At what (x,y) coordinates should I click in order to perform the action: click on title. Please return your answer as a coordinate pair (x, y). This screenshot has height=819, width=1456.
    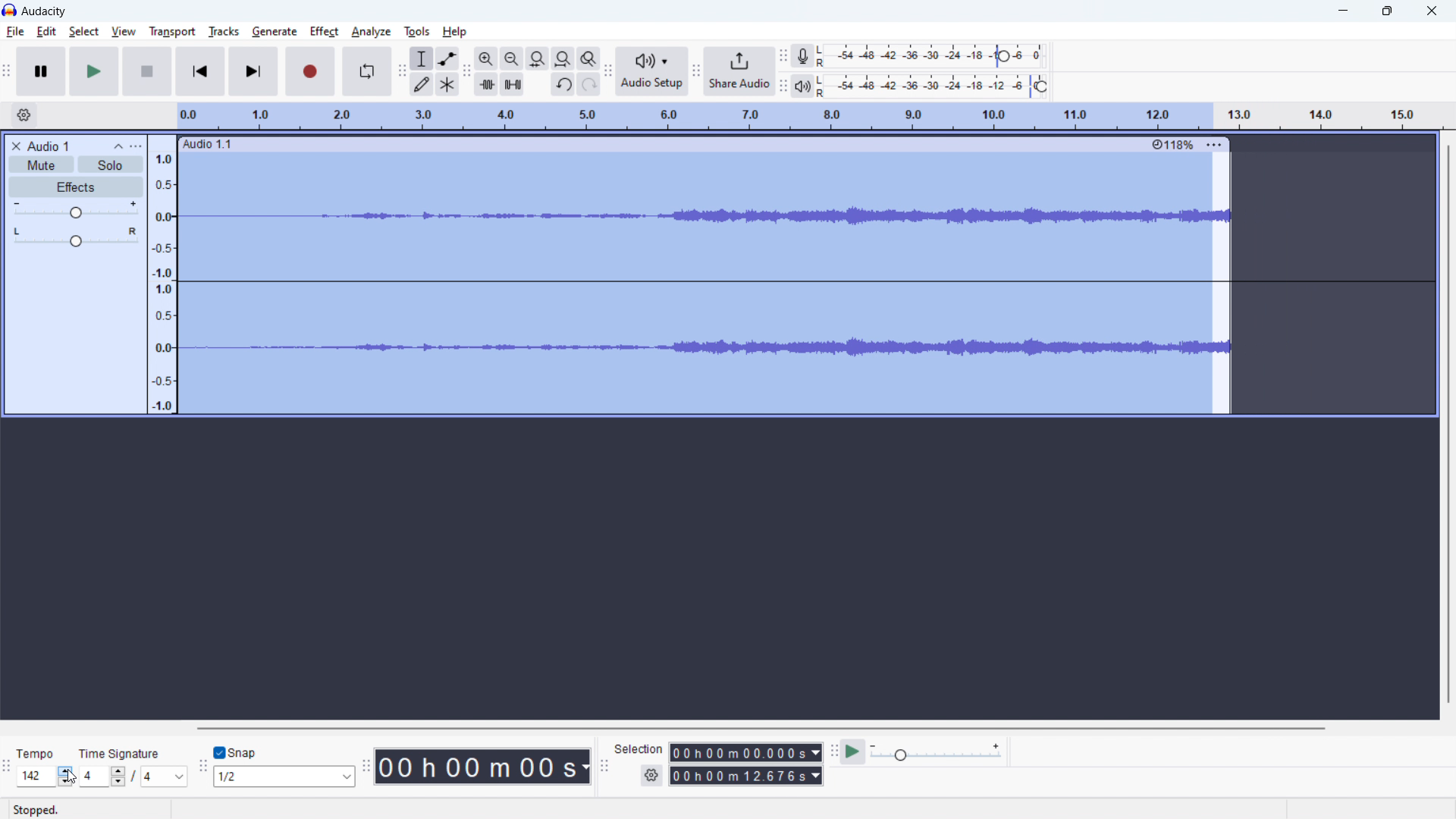
    Looking at the image, I should click on (45, 12).